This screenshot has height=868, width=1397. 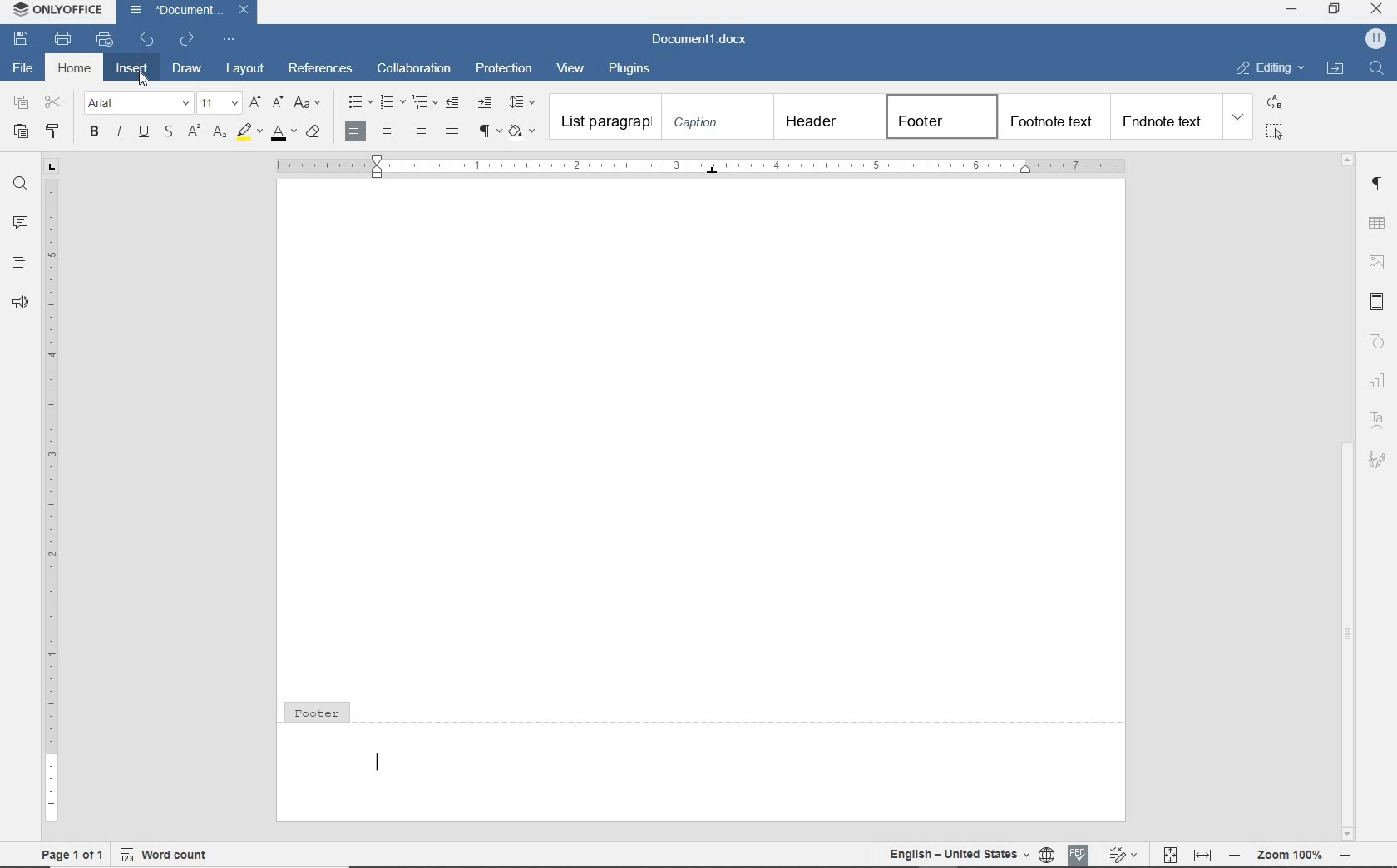 I want to click on editing, so click(x=1271, y=69).